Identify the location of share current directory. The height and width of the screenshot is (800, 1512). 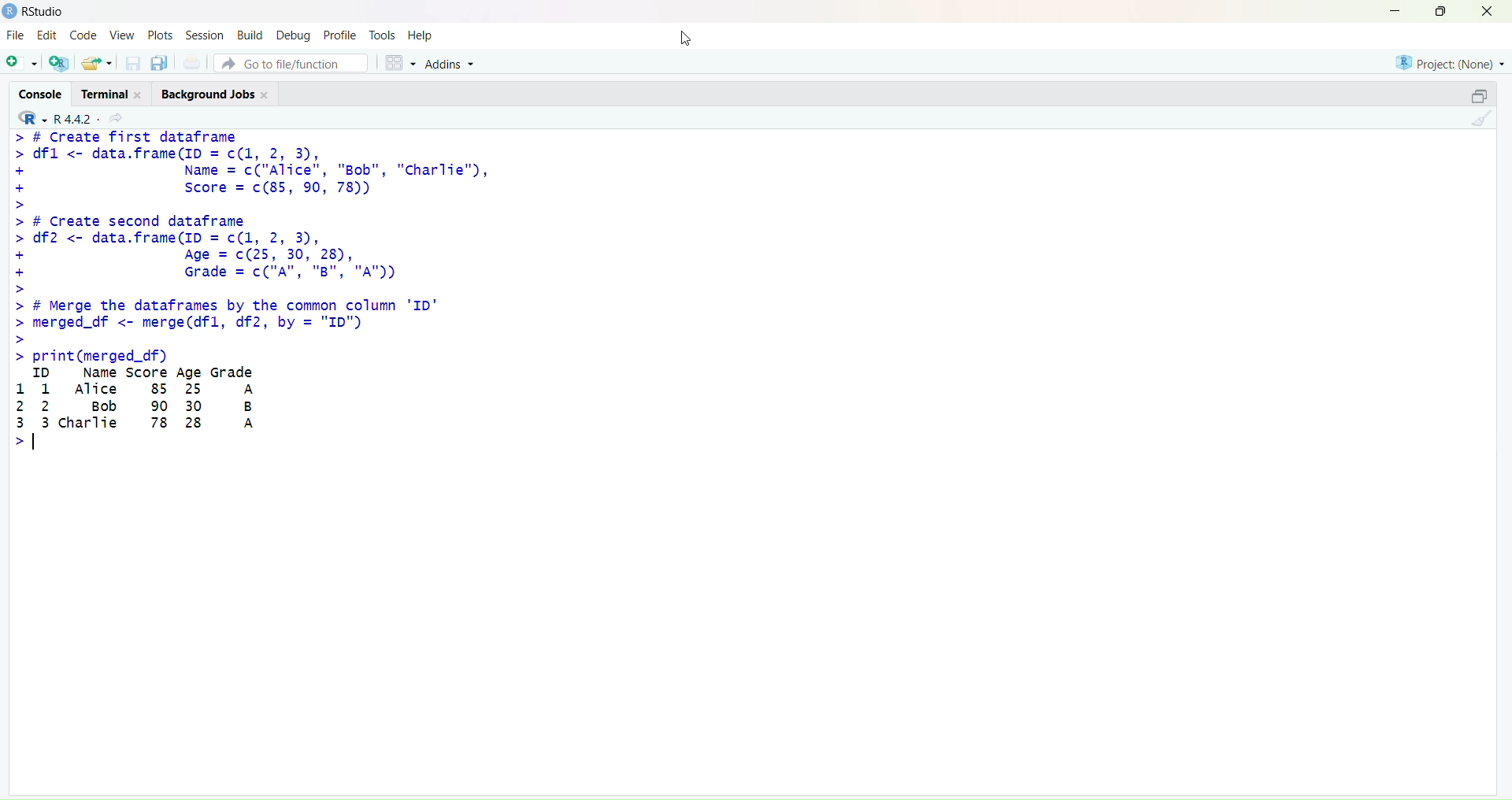
(116, 119).